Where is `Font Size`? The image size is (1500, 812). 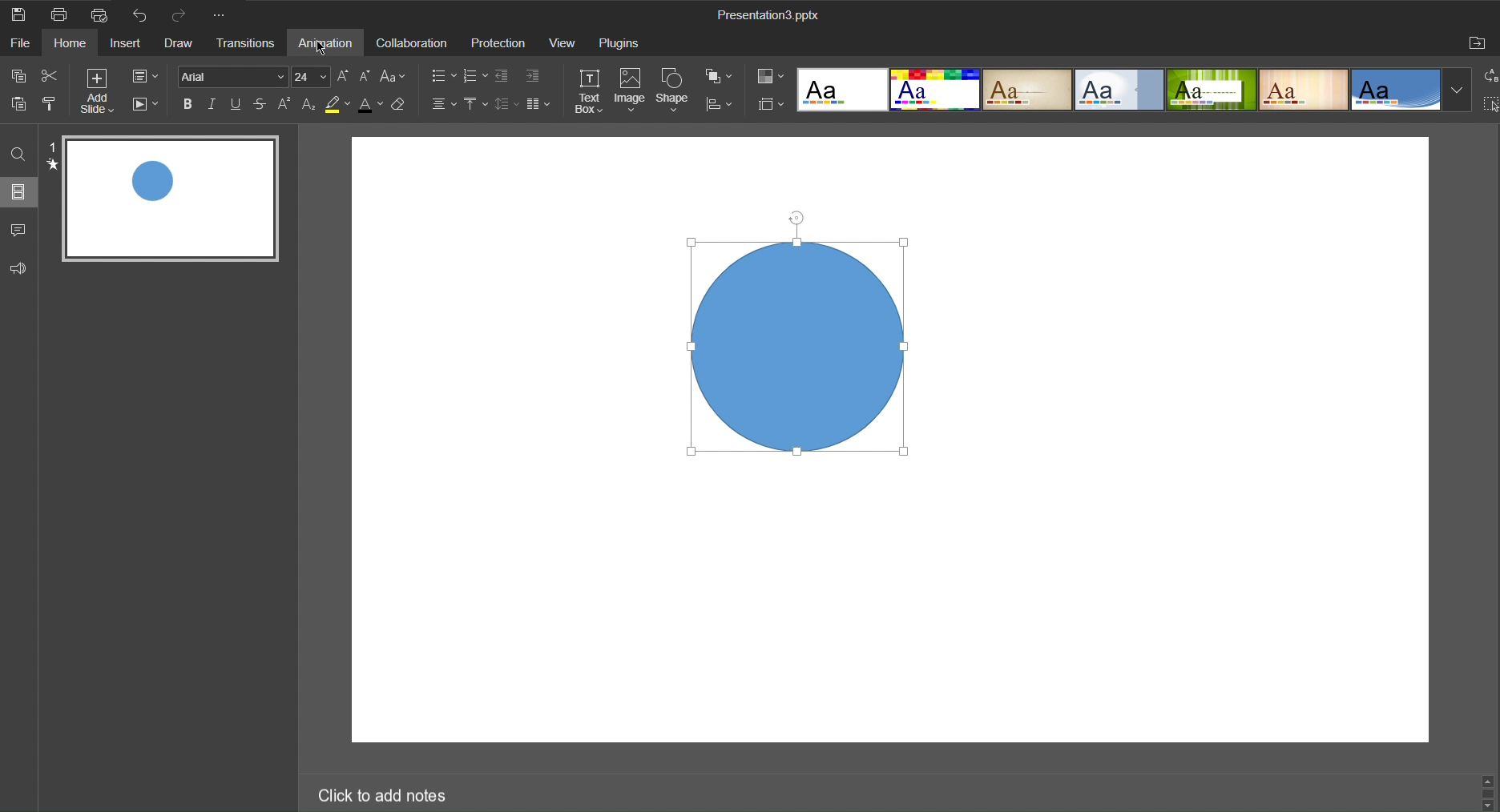
Font Size is located at coordinates (345, 78).